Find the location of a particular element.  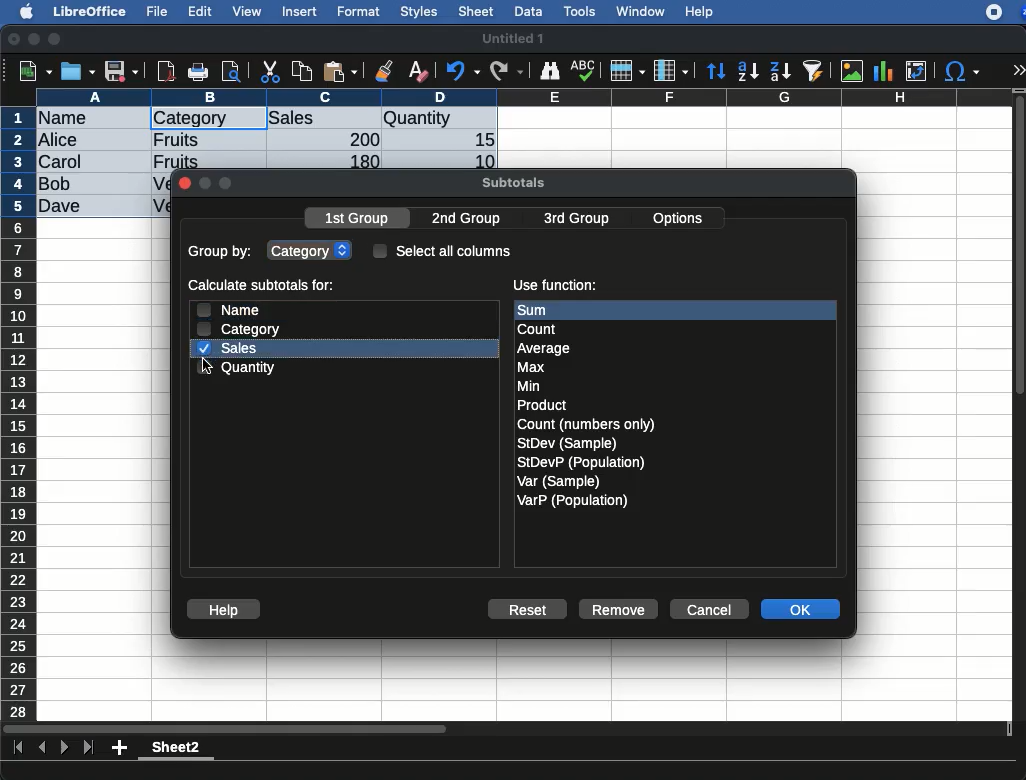

redo is located at coordinates (507, 71).